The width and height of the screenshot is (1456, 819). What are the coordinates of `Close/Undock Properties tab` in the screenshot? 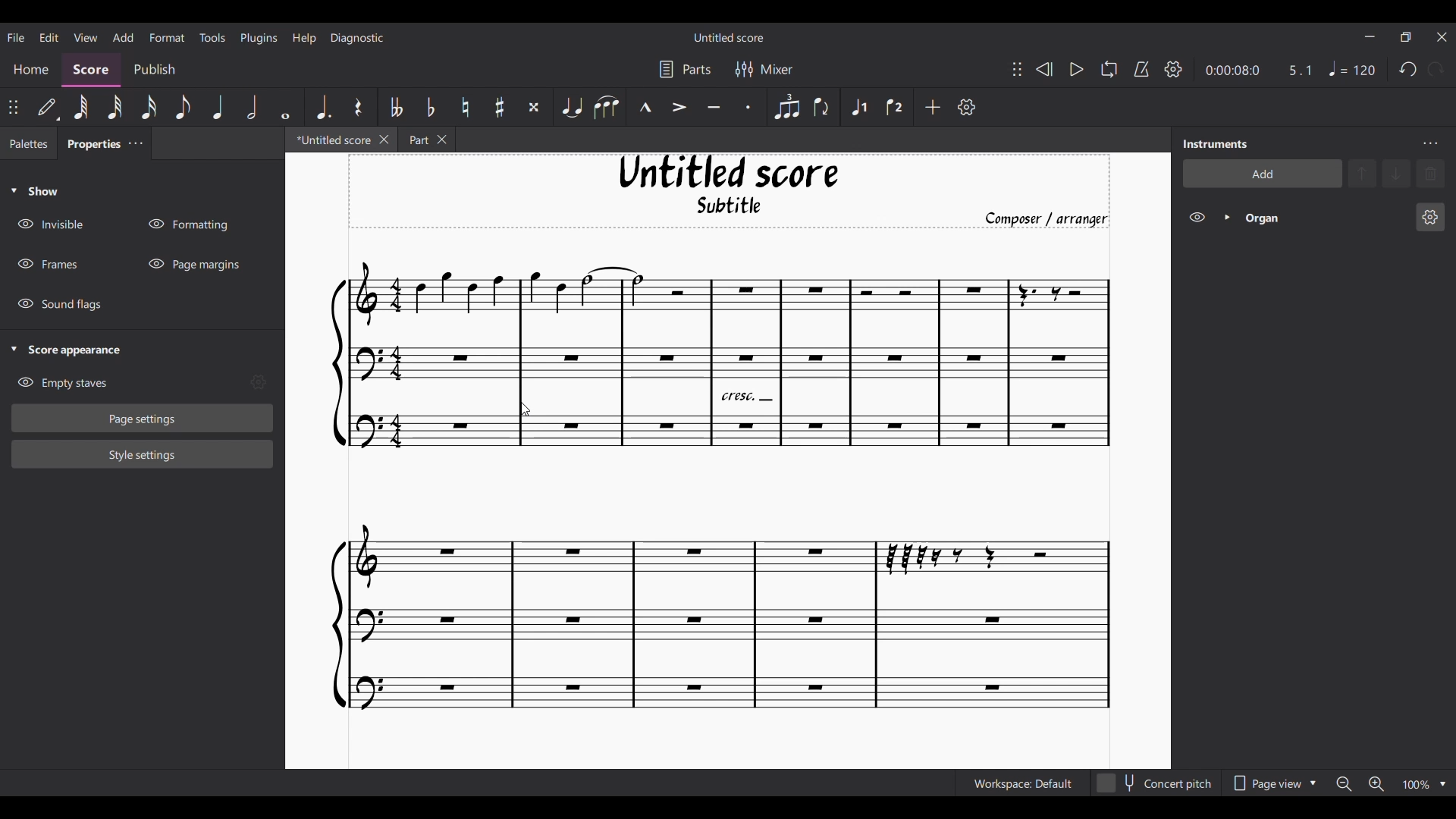 It's located at (135, 143).